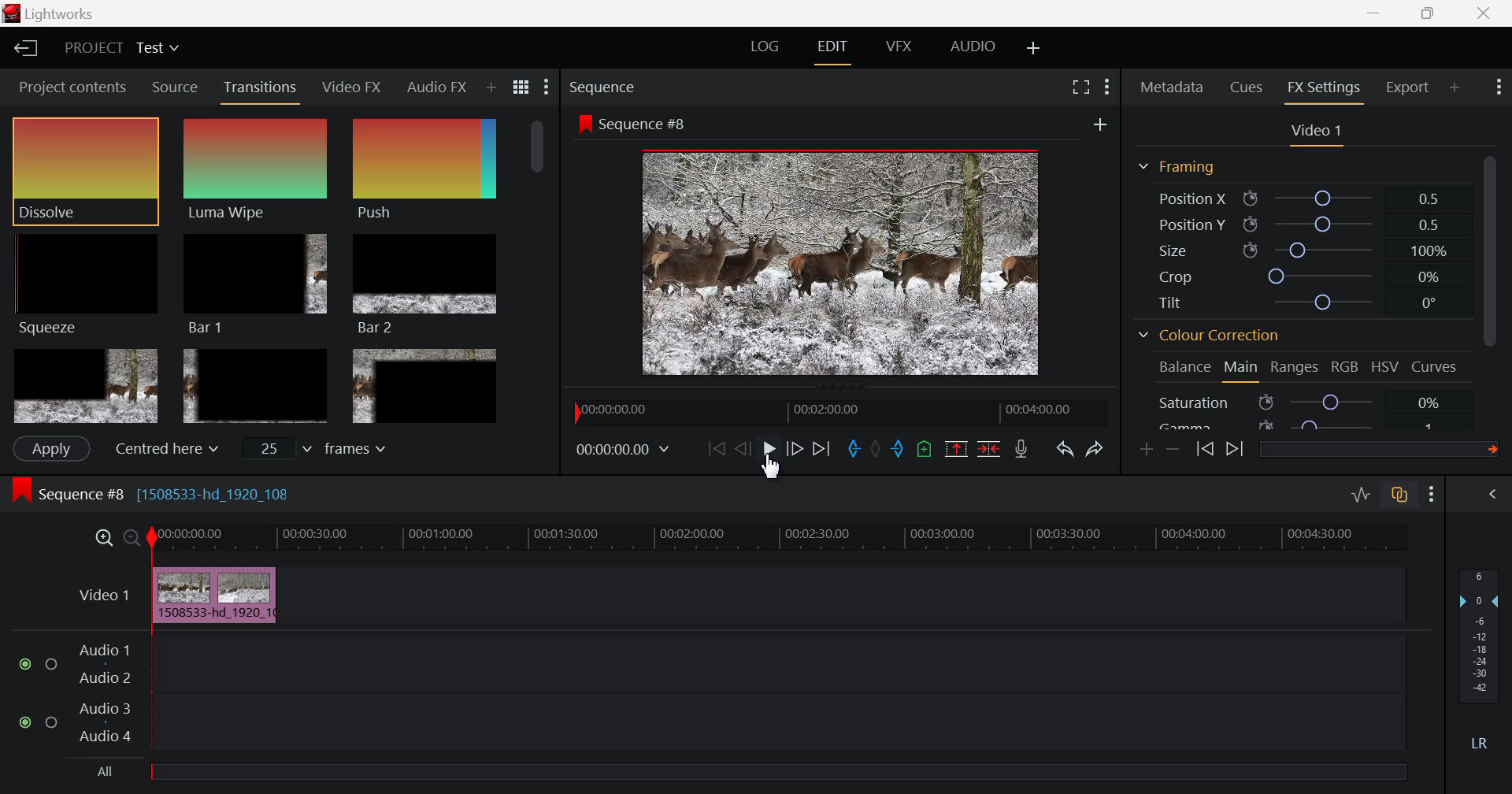 Image resolution: width=1512 pixels, height=794 pixels. What do you see at coordinates (819, 452) in the screenshot?
I see `To End` at bounding box center [819, 452].